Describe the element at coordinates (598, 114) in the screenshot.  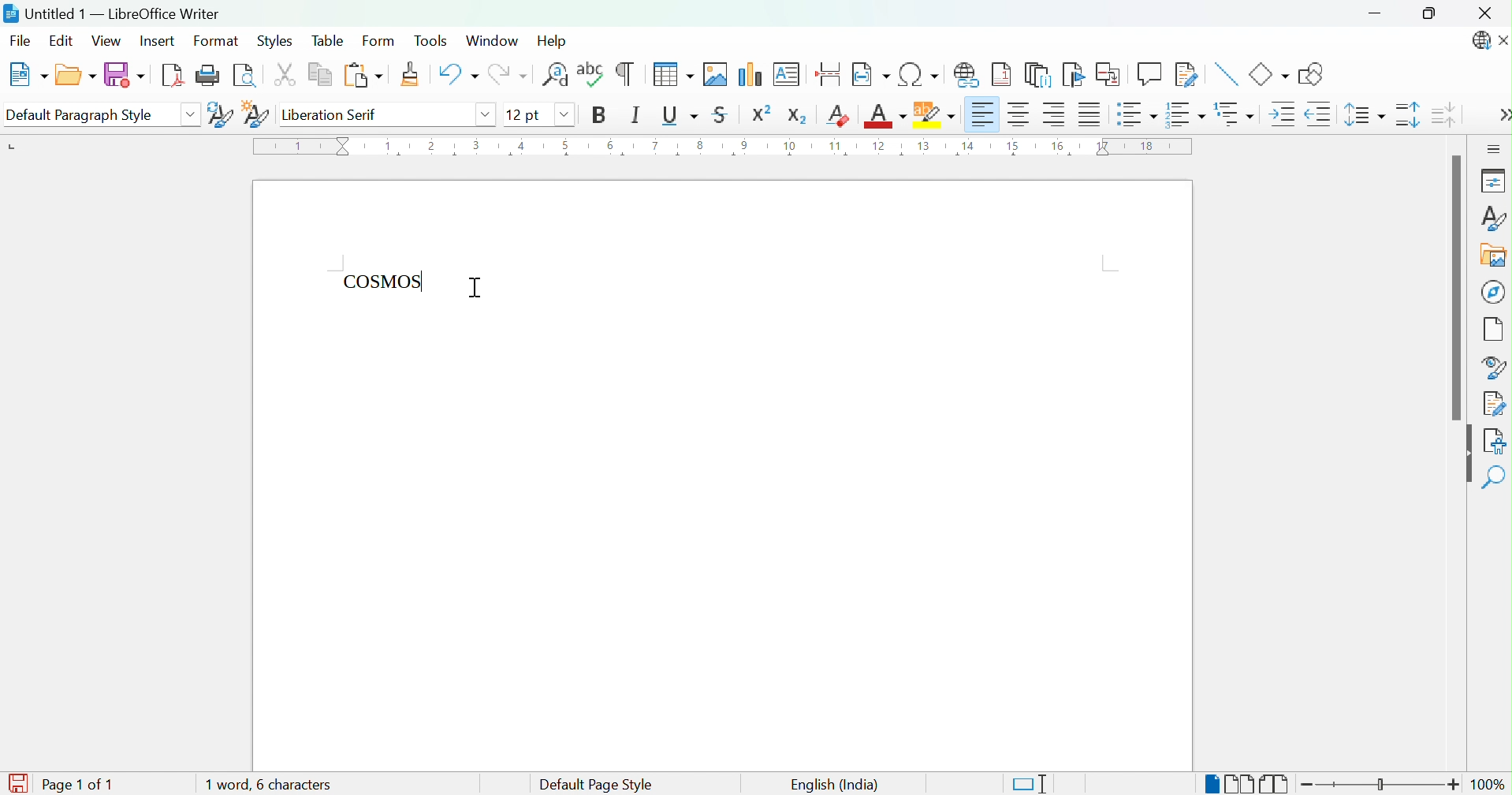
I see `Bold` at that location.